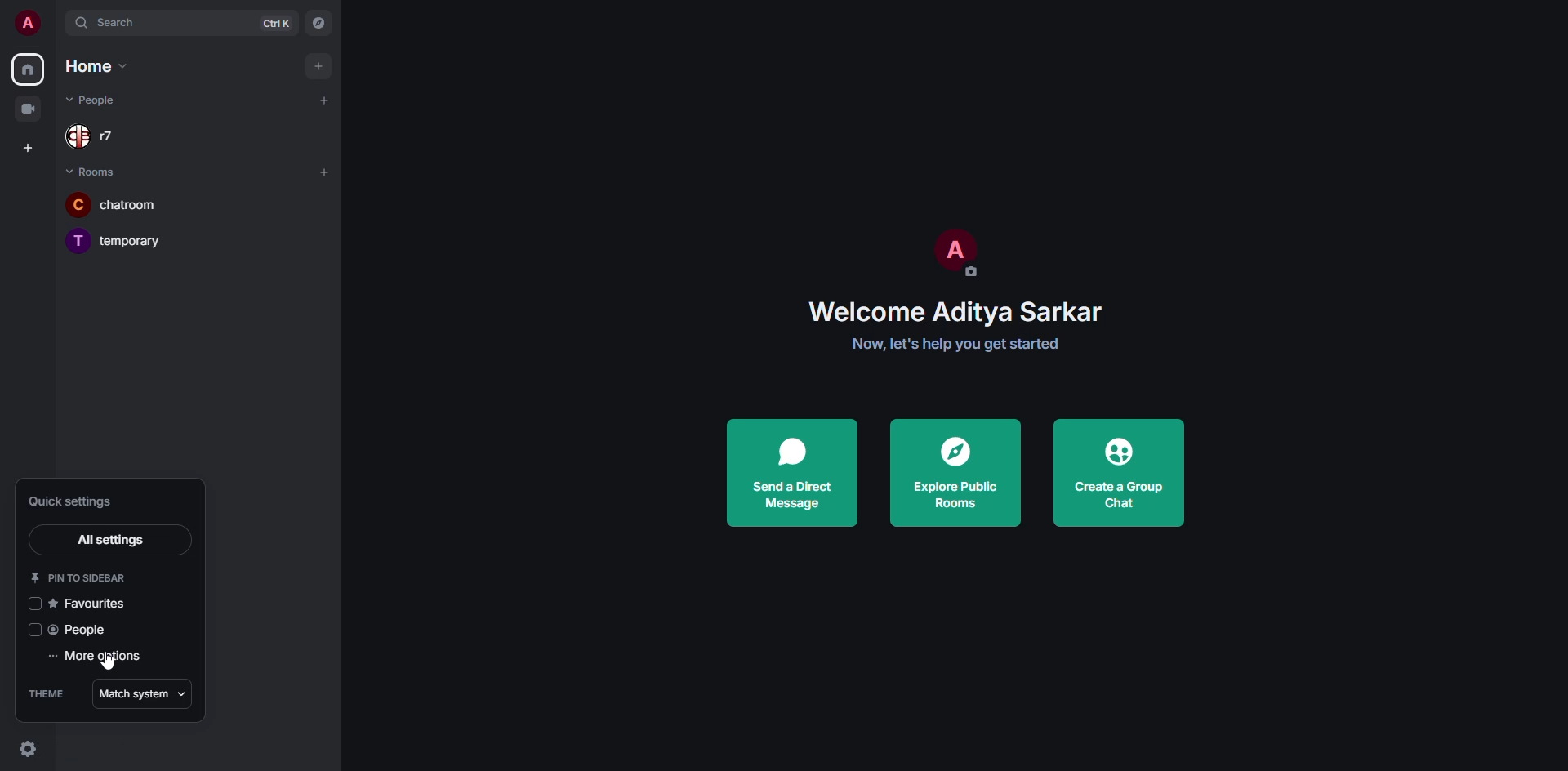  I want to click on add, so click(316, 65).